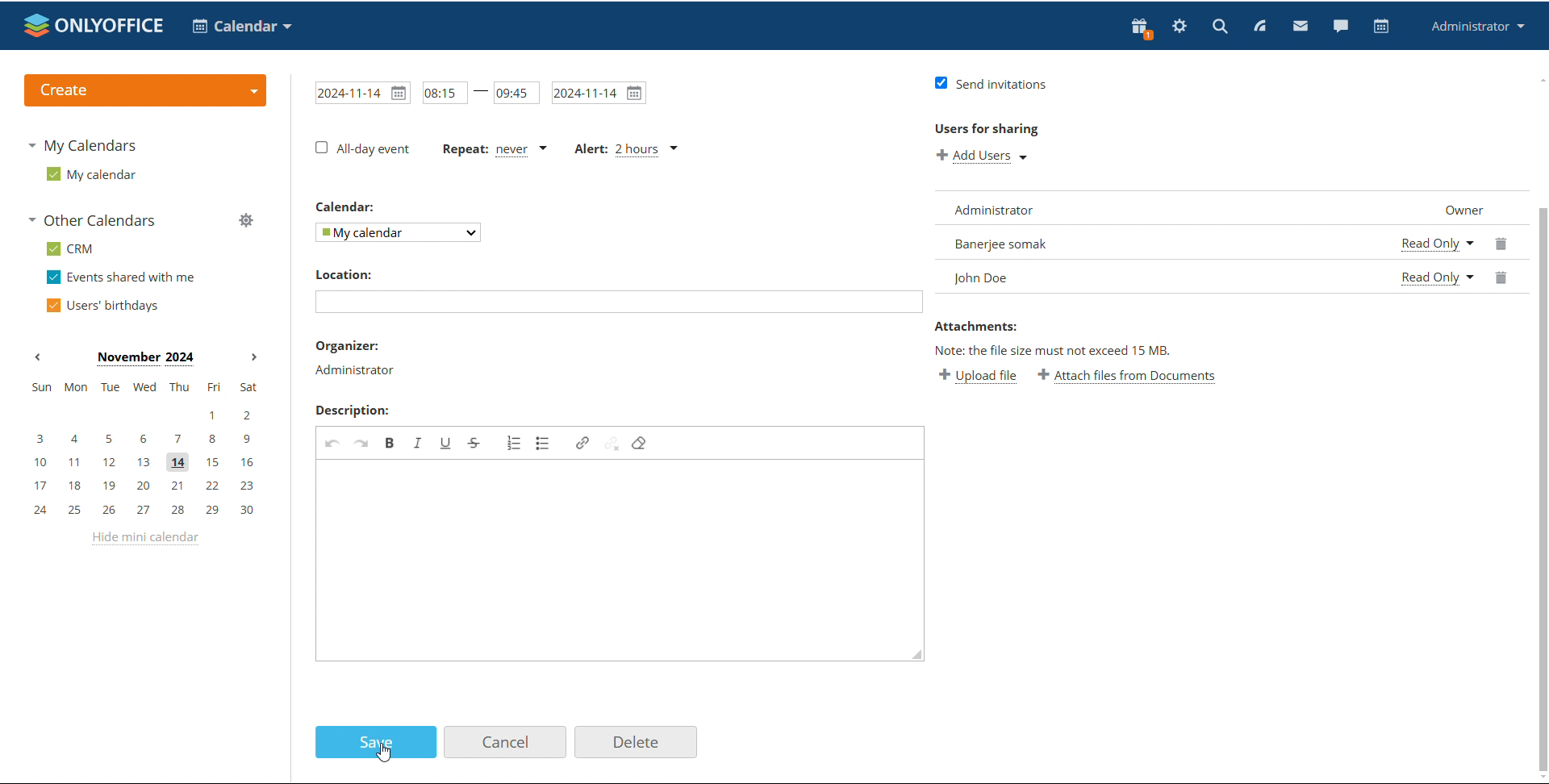 Image resolution: width=1549 pixels, height=784 pixels. Describe the element at coordinates (446, 444) in the screenshot. I see `Underline` at that location.